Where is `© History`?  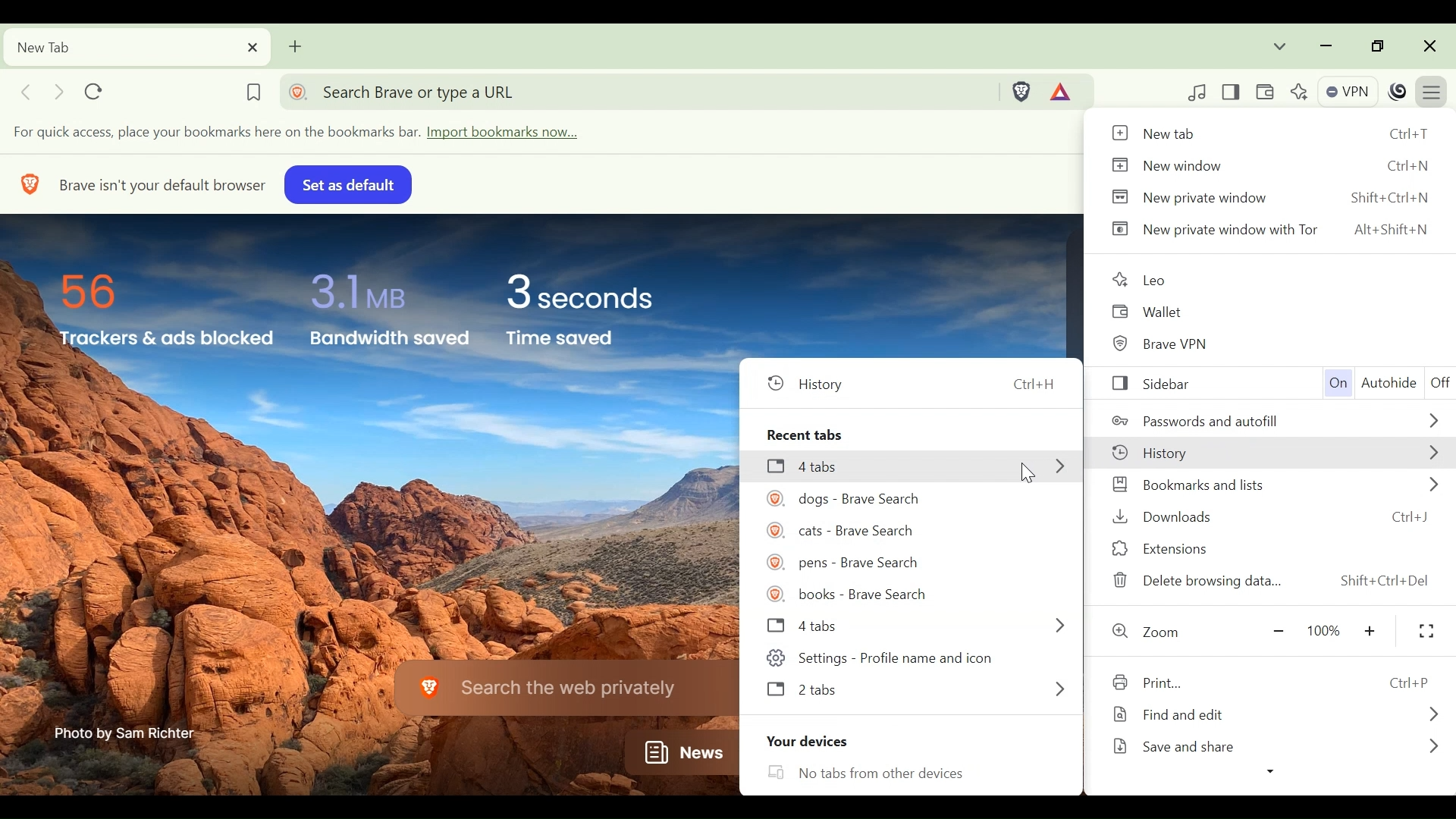
© History is located at coordinates (821, 384).